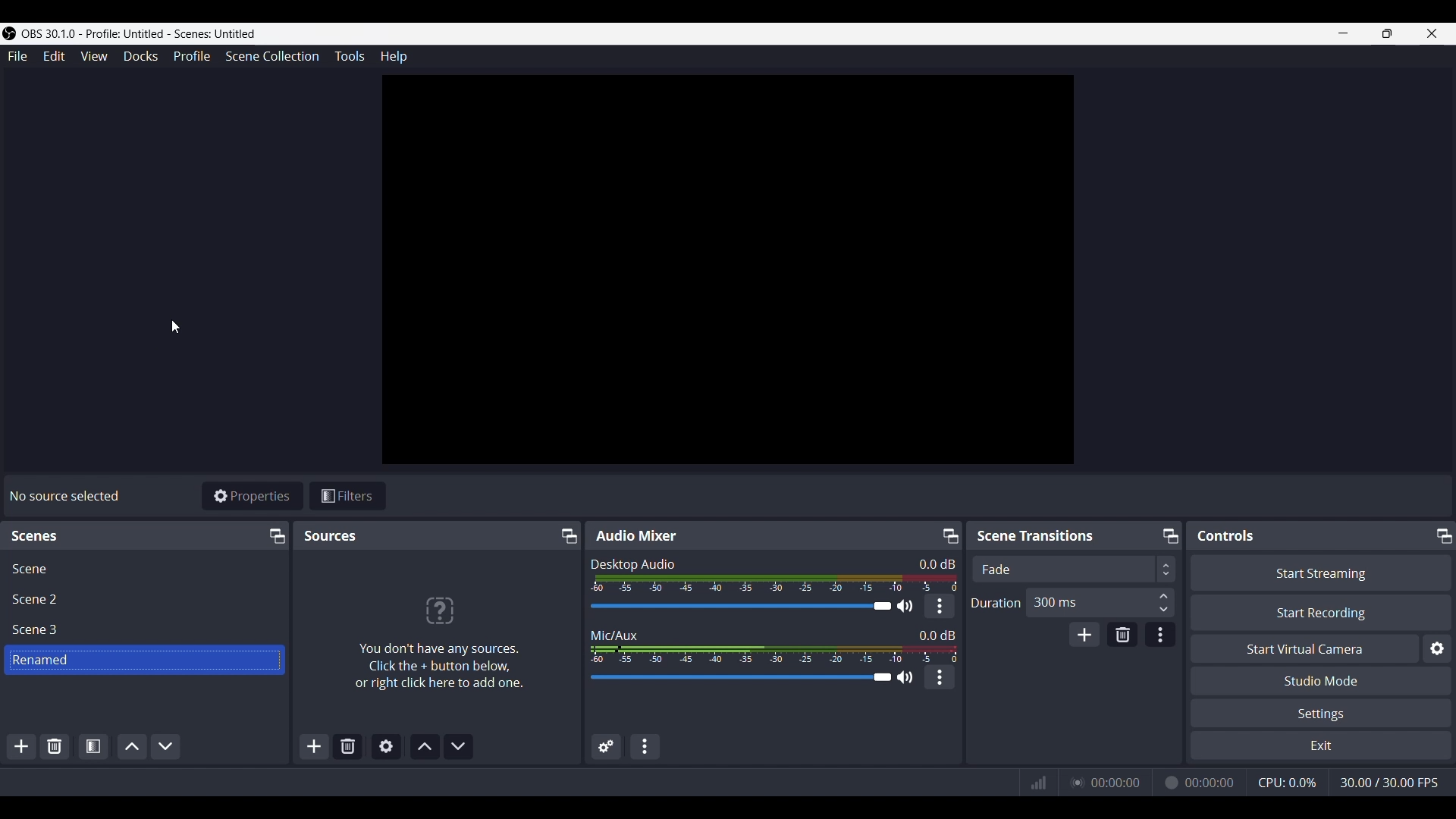  I want to click on ?, so click(438, 610).